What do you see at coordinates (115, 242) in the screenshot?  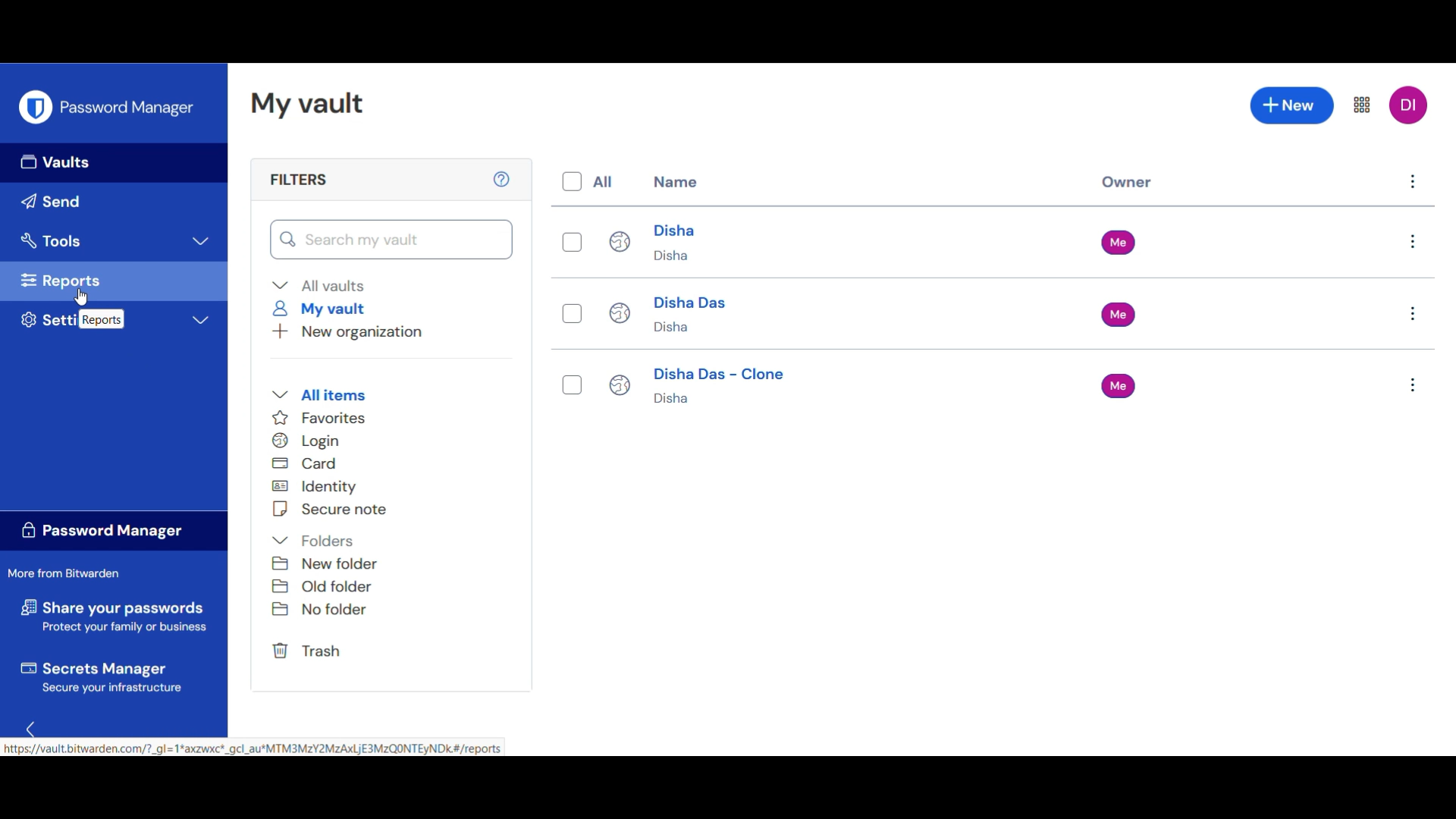 I see `Tools` at bounding box center [115, 242].